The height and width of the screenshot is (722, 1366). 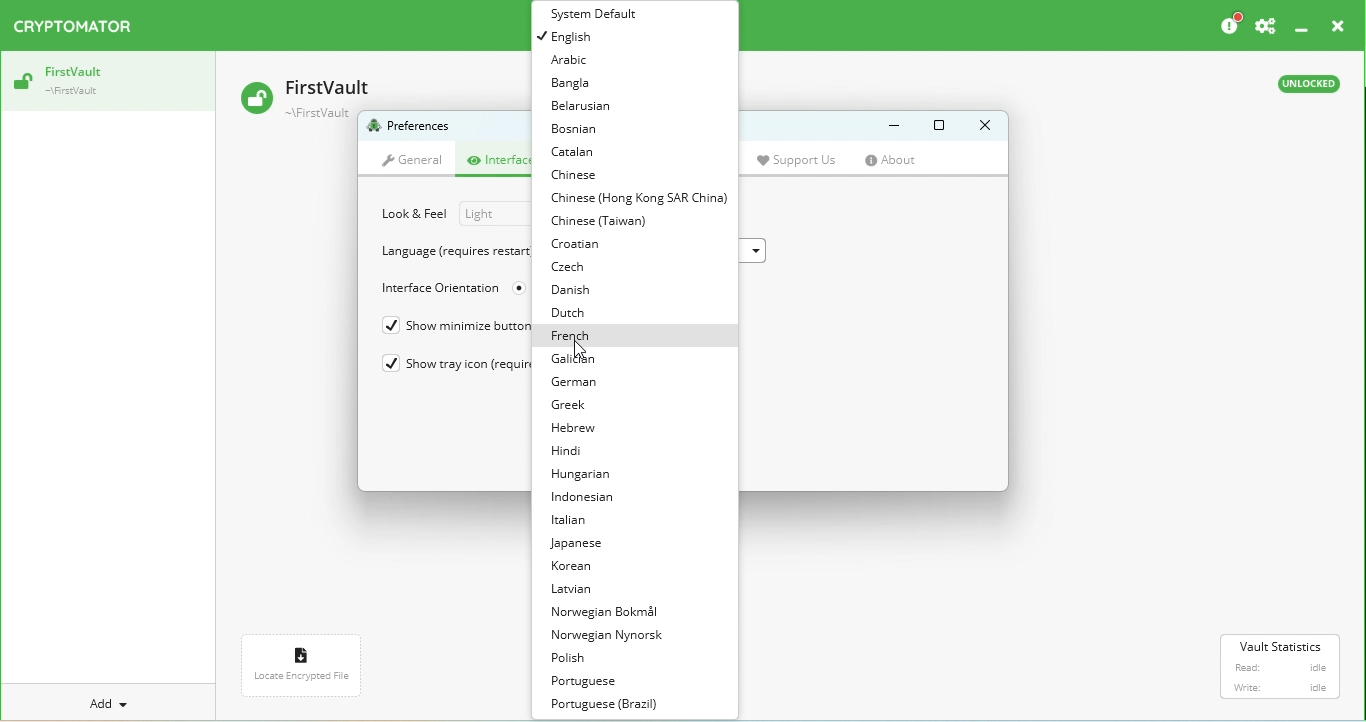 What do you see at coordinates (583, 245) in the screenshot?
I see `Croatian` at bounding box center [583, 245].